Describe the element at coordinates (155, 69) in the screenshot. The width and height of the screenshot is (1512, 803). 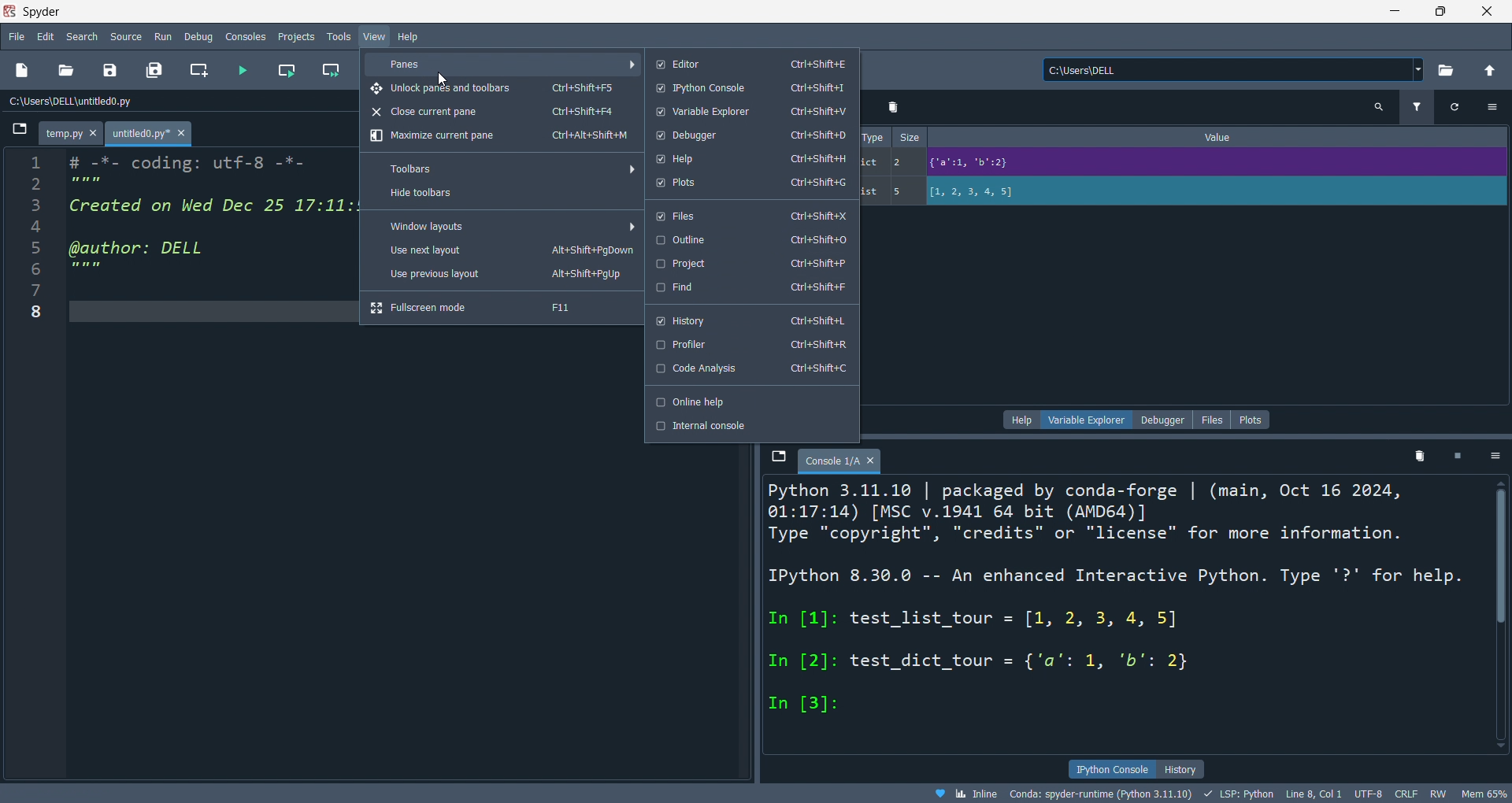
I see `save all` at that location.